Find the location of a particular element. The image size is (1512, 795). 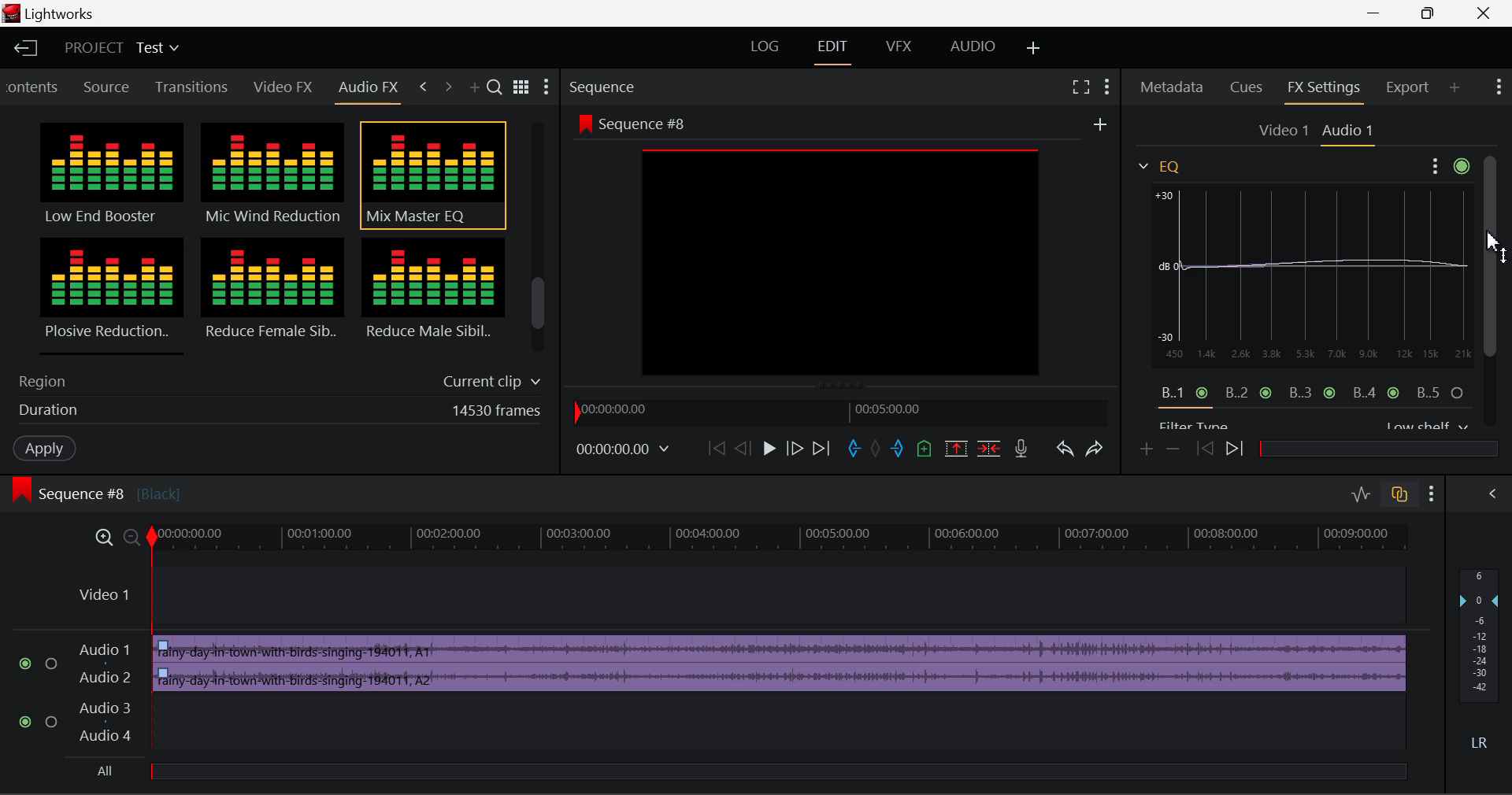

Settings is located at coordinates (547, 89).